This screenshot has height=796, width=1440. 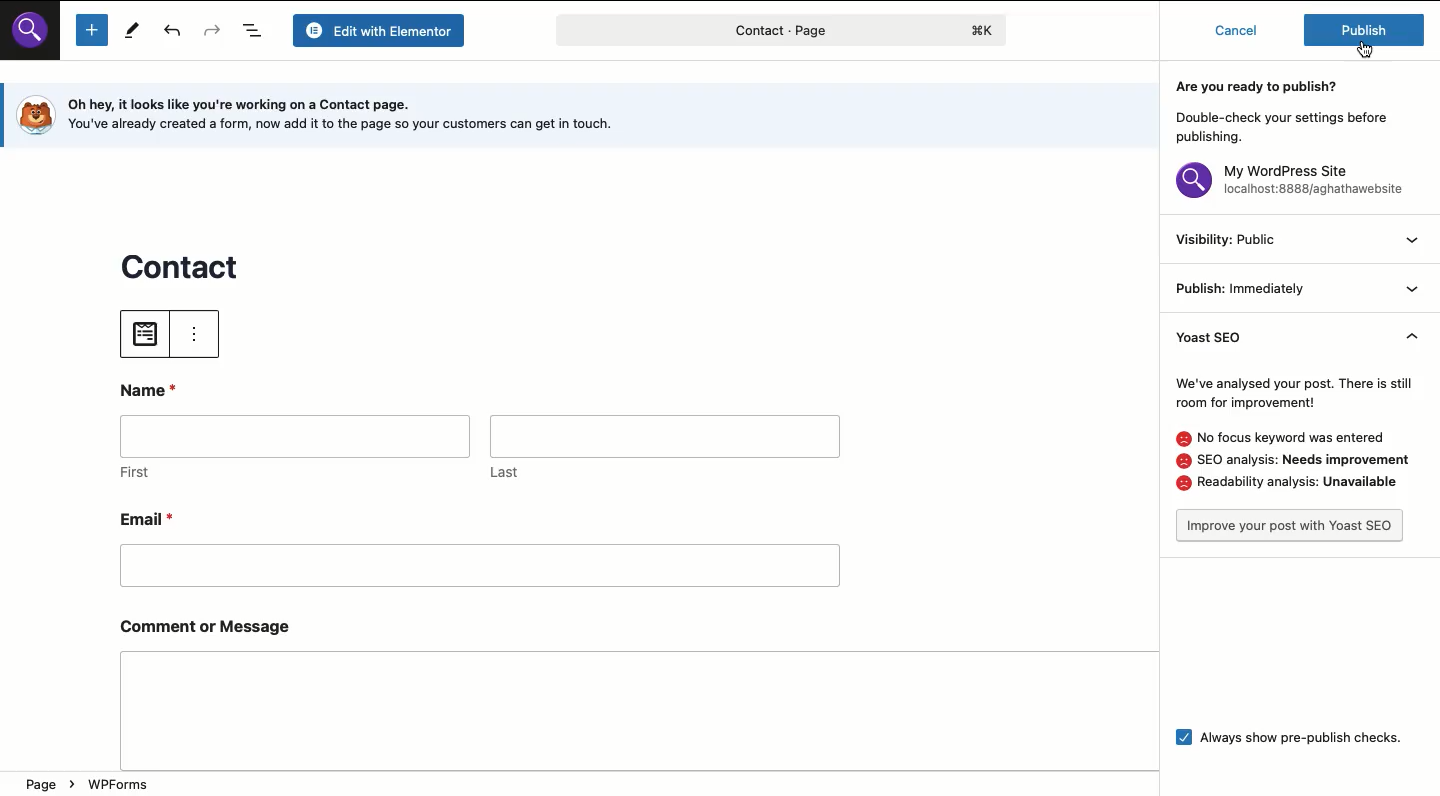 I want to click on Publish, so click(x=1246, y=286).